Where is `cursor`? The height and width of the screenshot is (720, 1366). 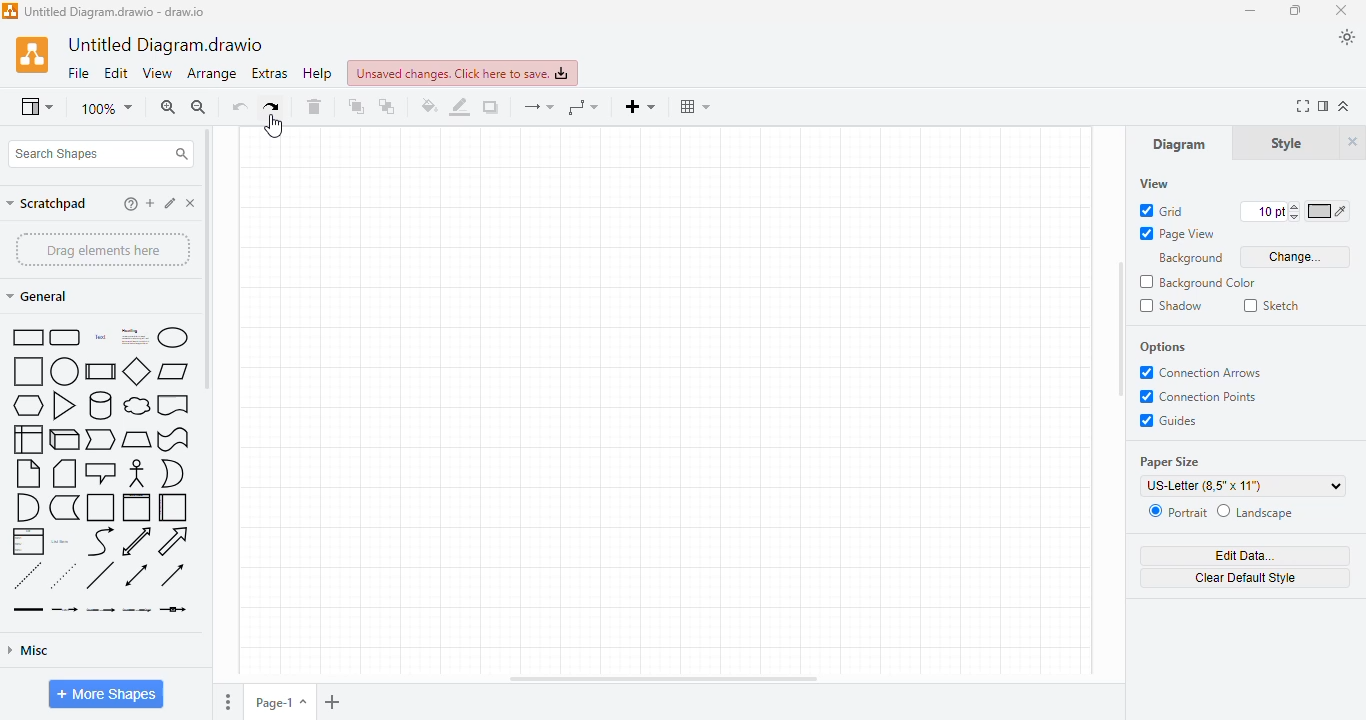 cursor is located at coordinates (273, 125).